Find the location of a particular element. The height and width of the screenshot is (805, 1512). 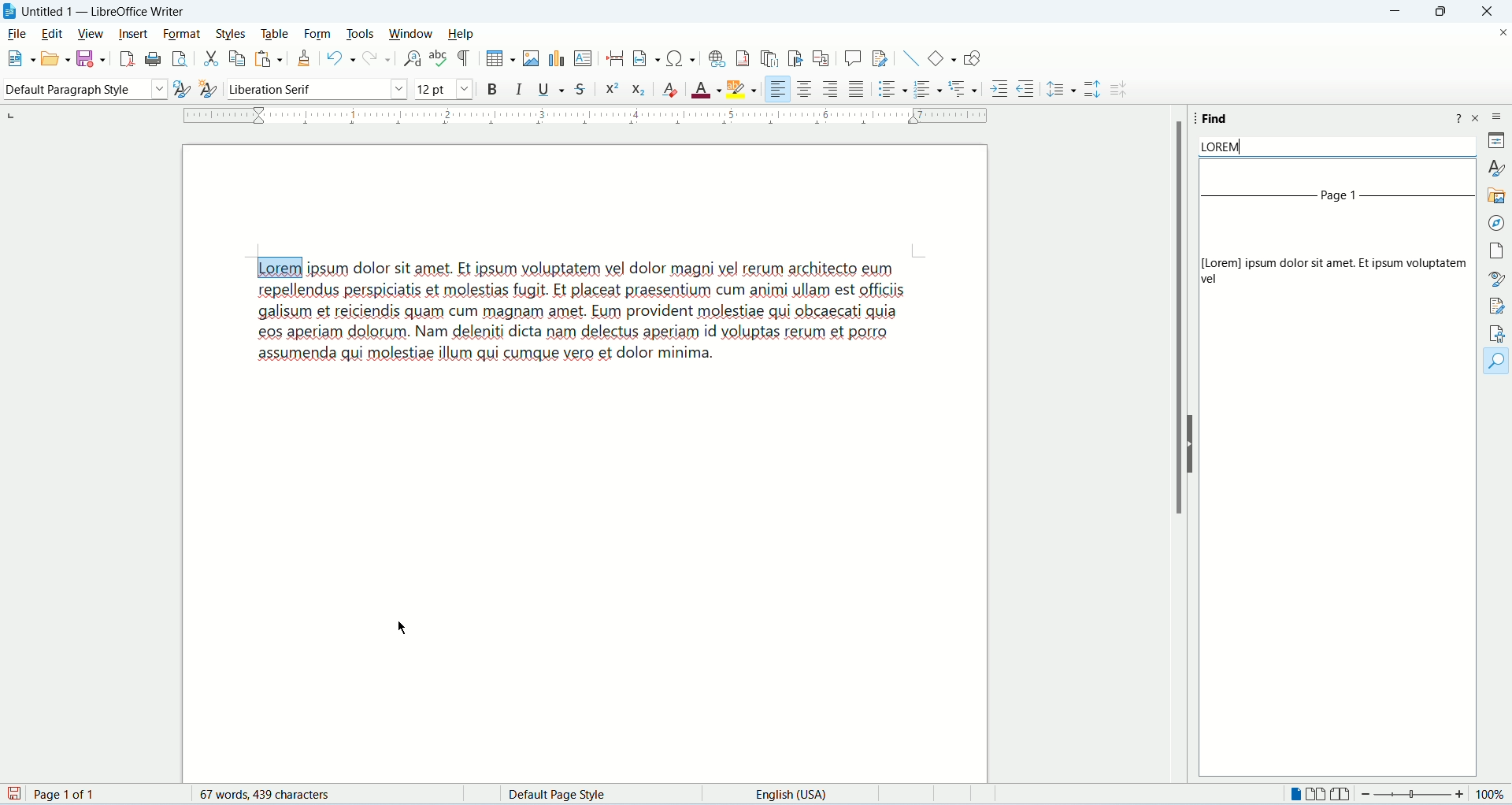

cursor is located at coordinates (402, 628).